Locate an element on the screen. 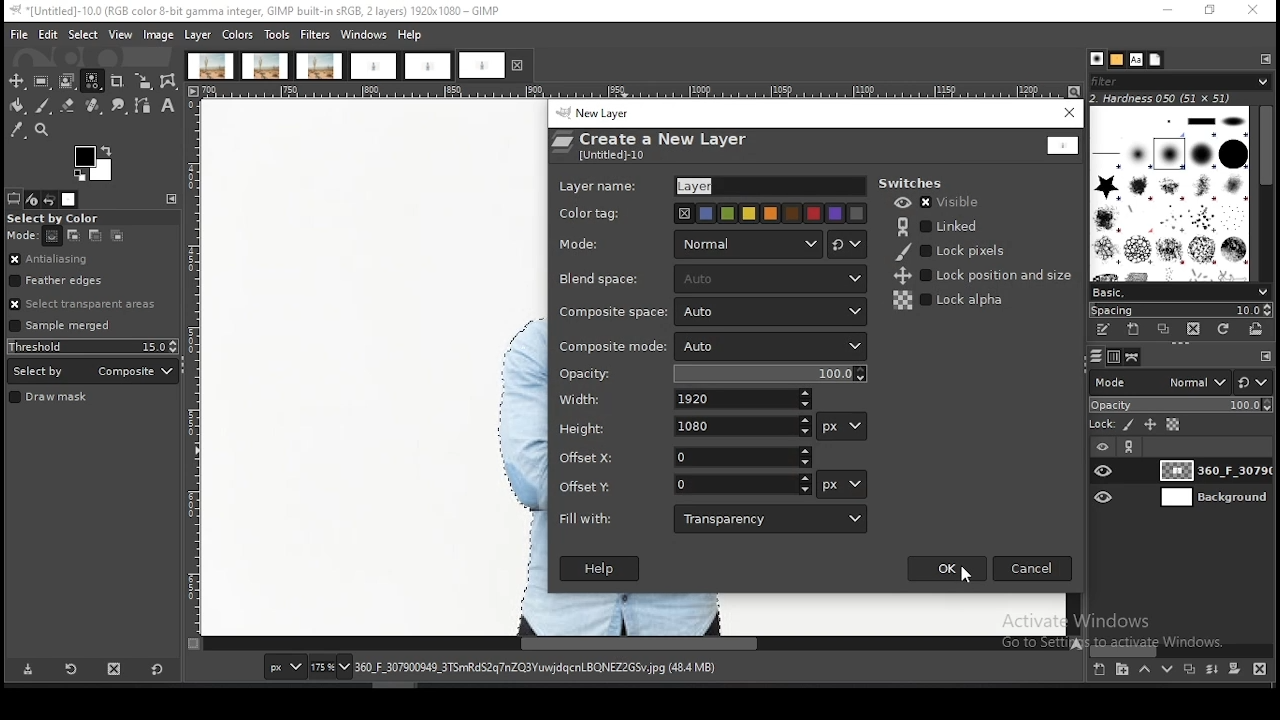 The height and width of the screenshot is (720, 1280). images is located at coordinates (69, 200).